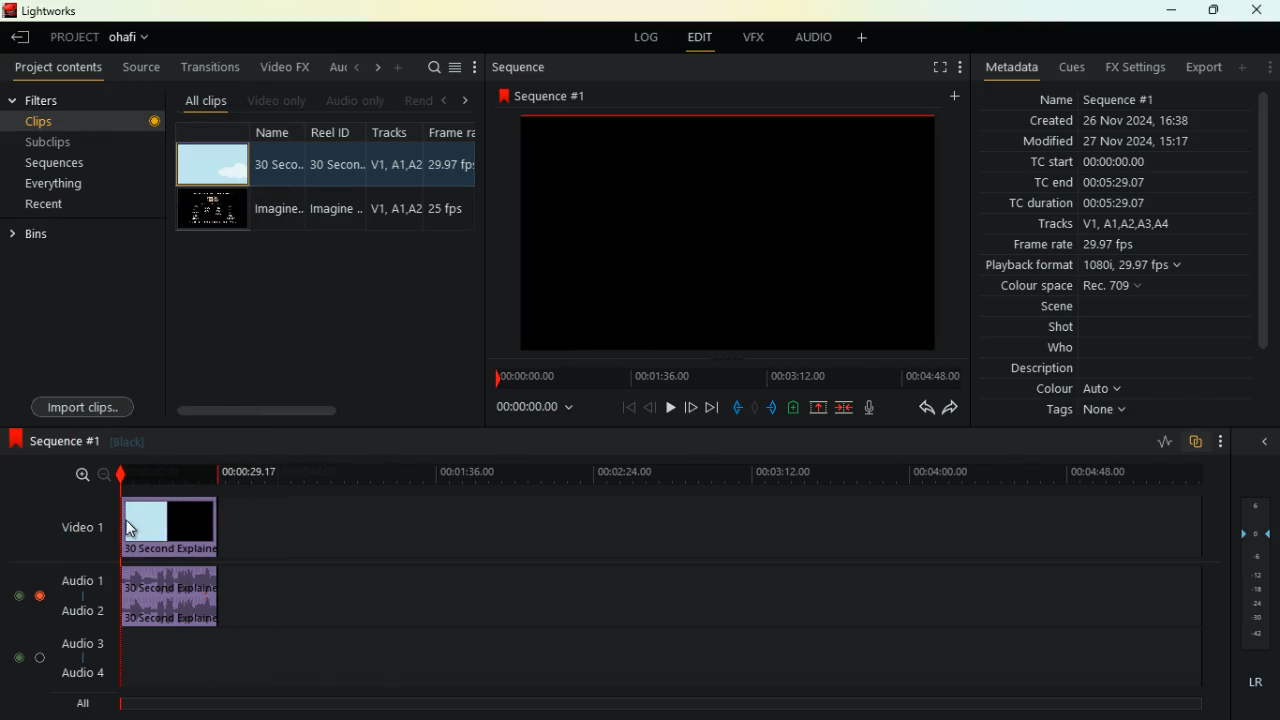 Image resolution: width=1280 pixels, height=720 pixels. I want to click on tracks, so click(396, 177).